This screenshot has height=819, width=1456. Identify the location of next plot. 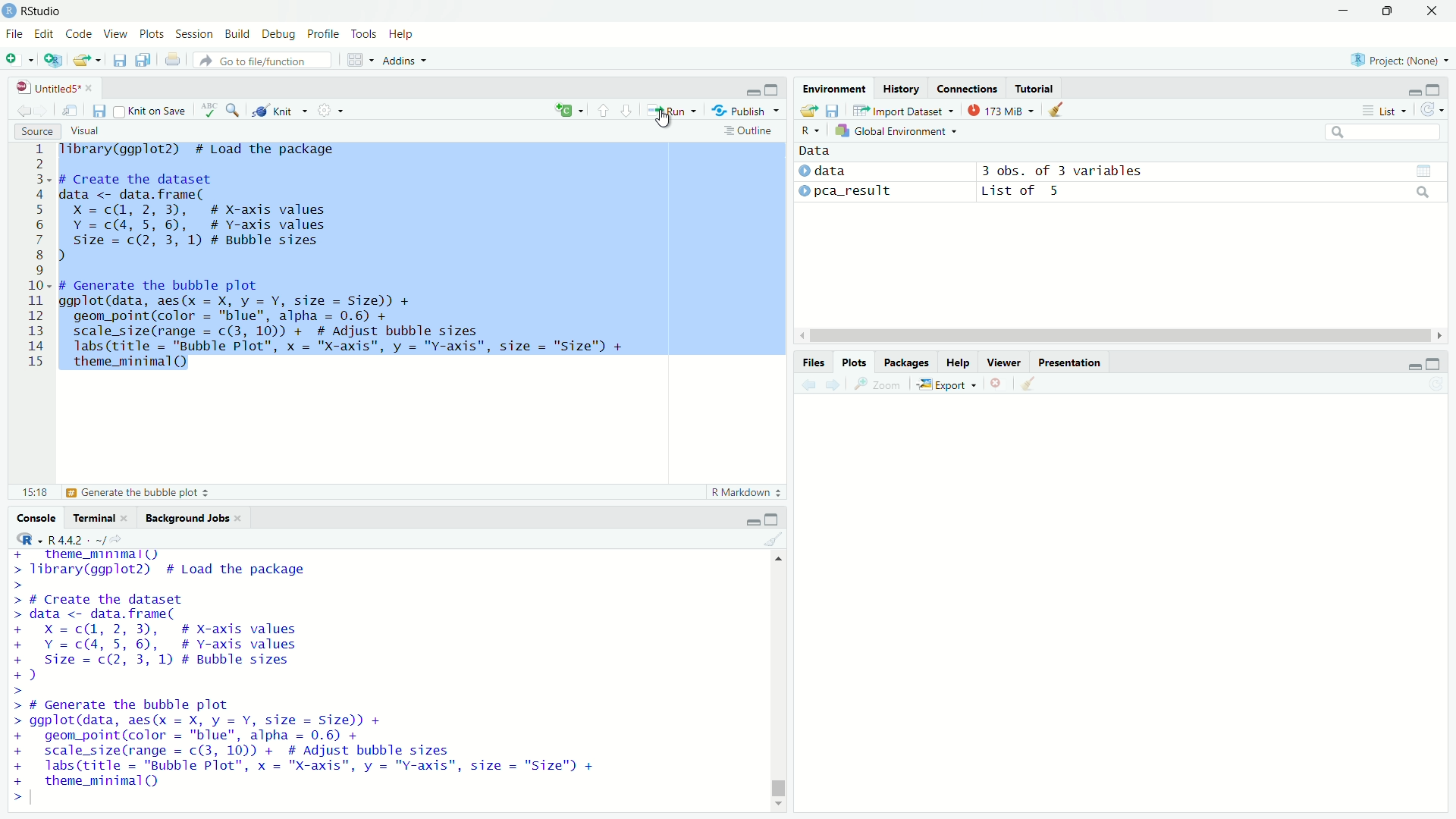
(835, 384).